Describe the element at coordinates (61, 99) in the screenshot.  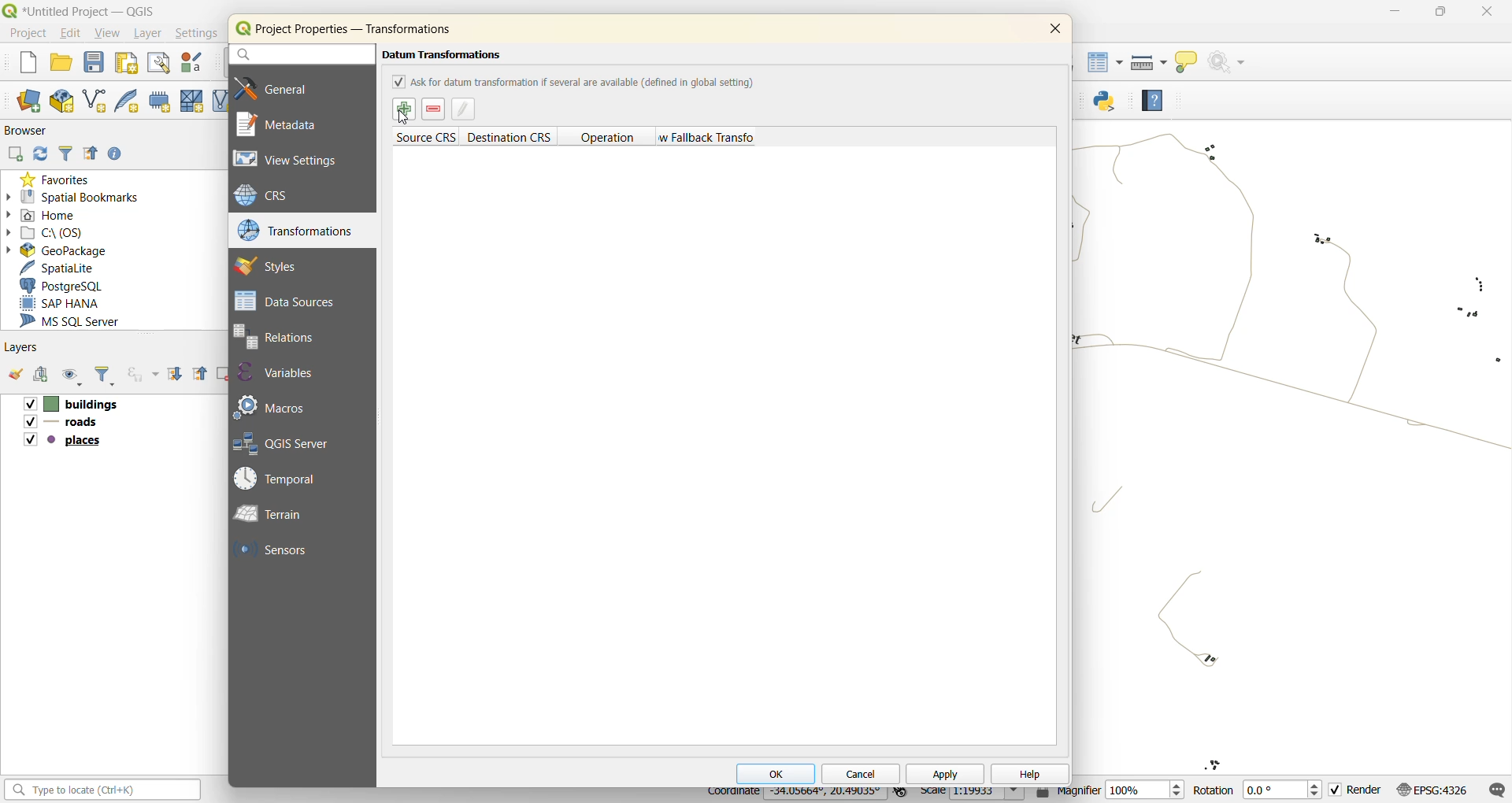
I see `new geopackage` at that location.